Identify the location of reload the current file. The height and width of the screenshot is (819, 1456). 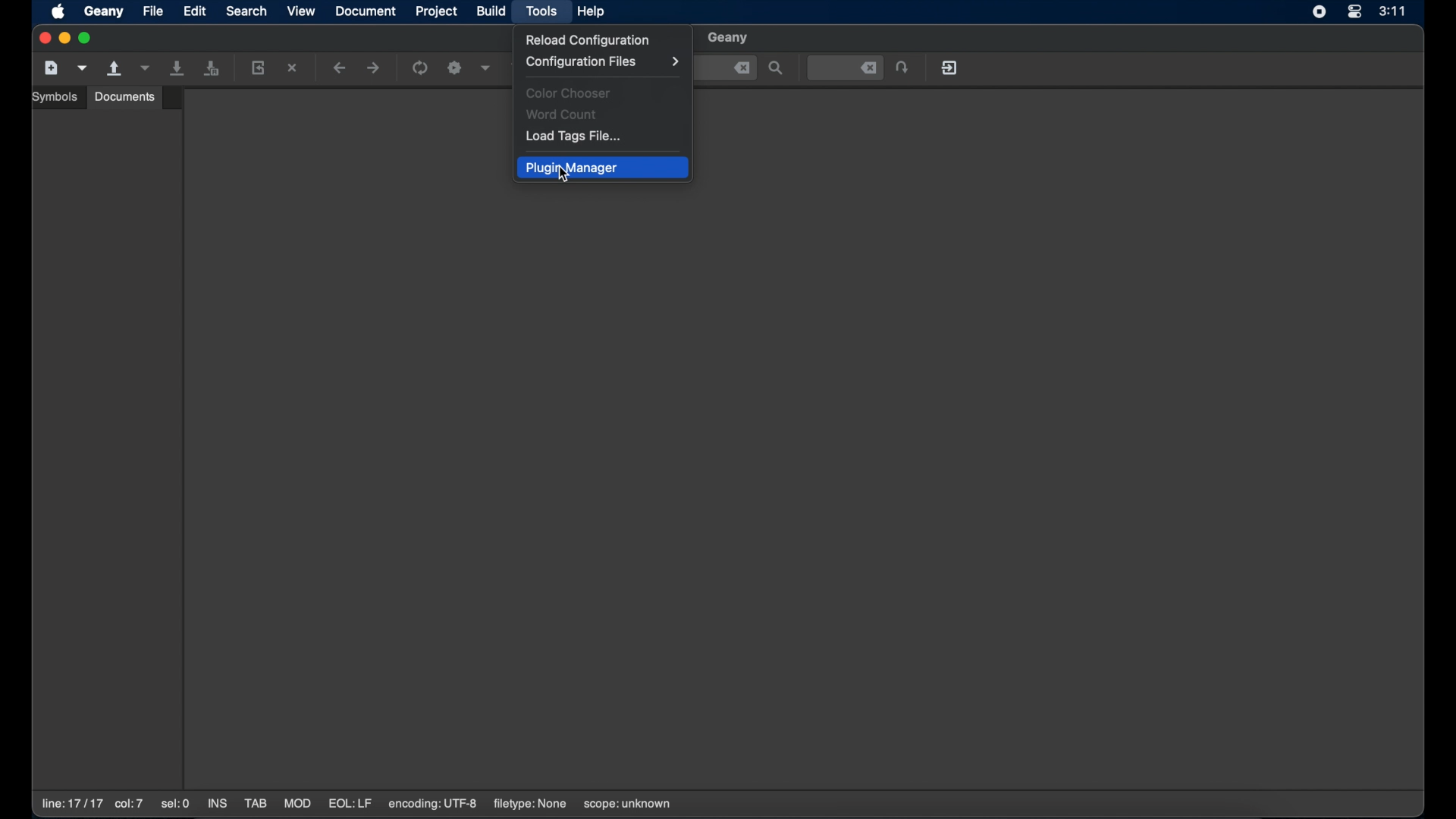
(259, 67).